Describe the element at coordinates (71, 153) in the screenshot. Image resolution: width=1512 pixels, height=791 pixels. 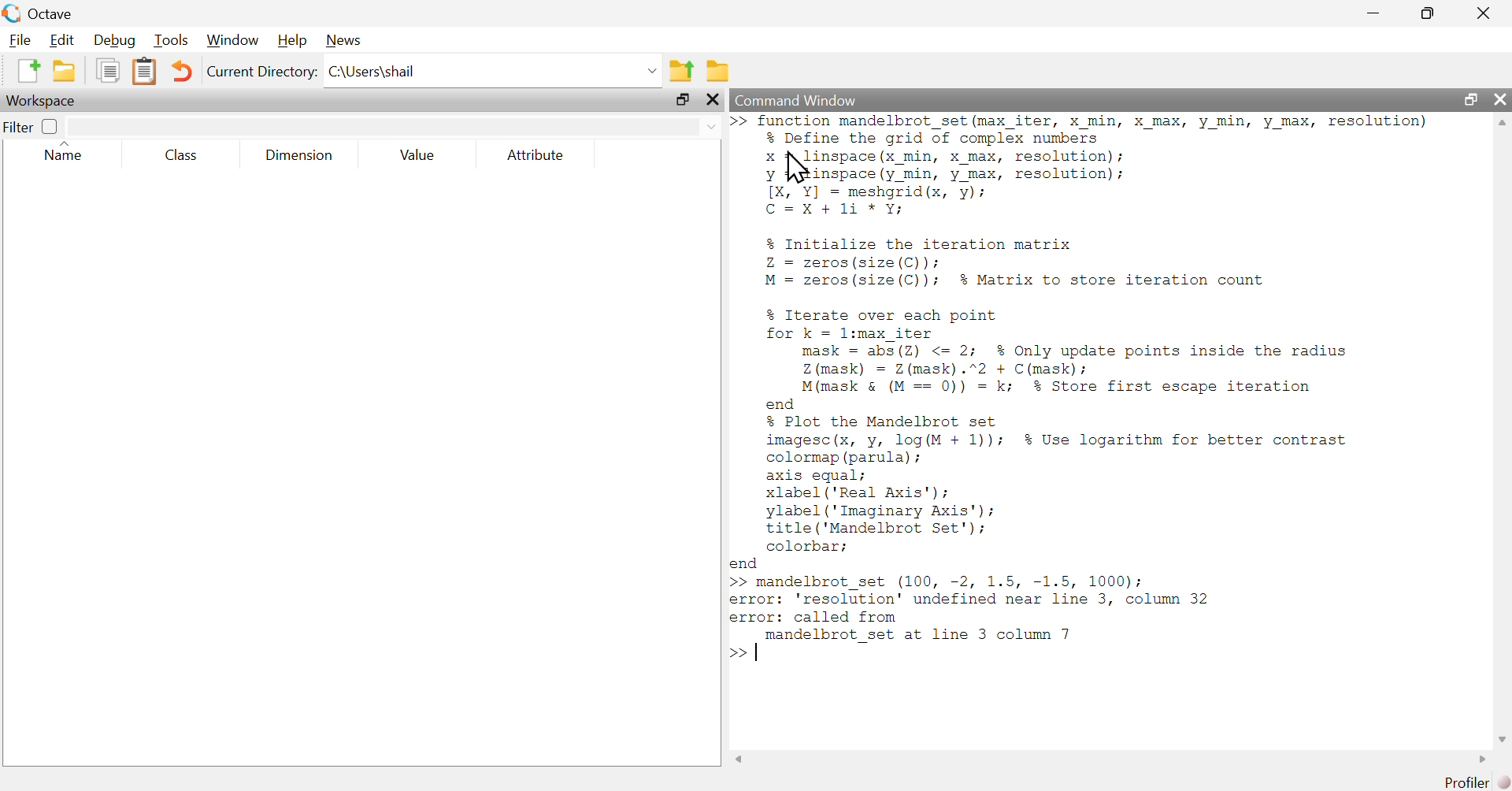
I see `Name` at that location.